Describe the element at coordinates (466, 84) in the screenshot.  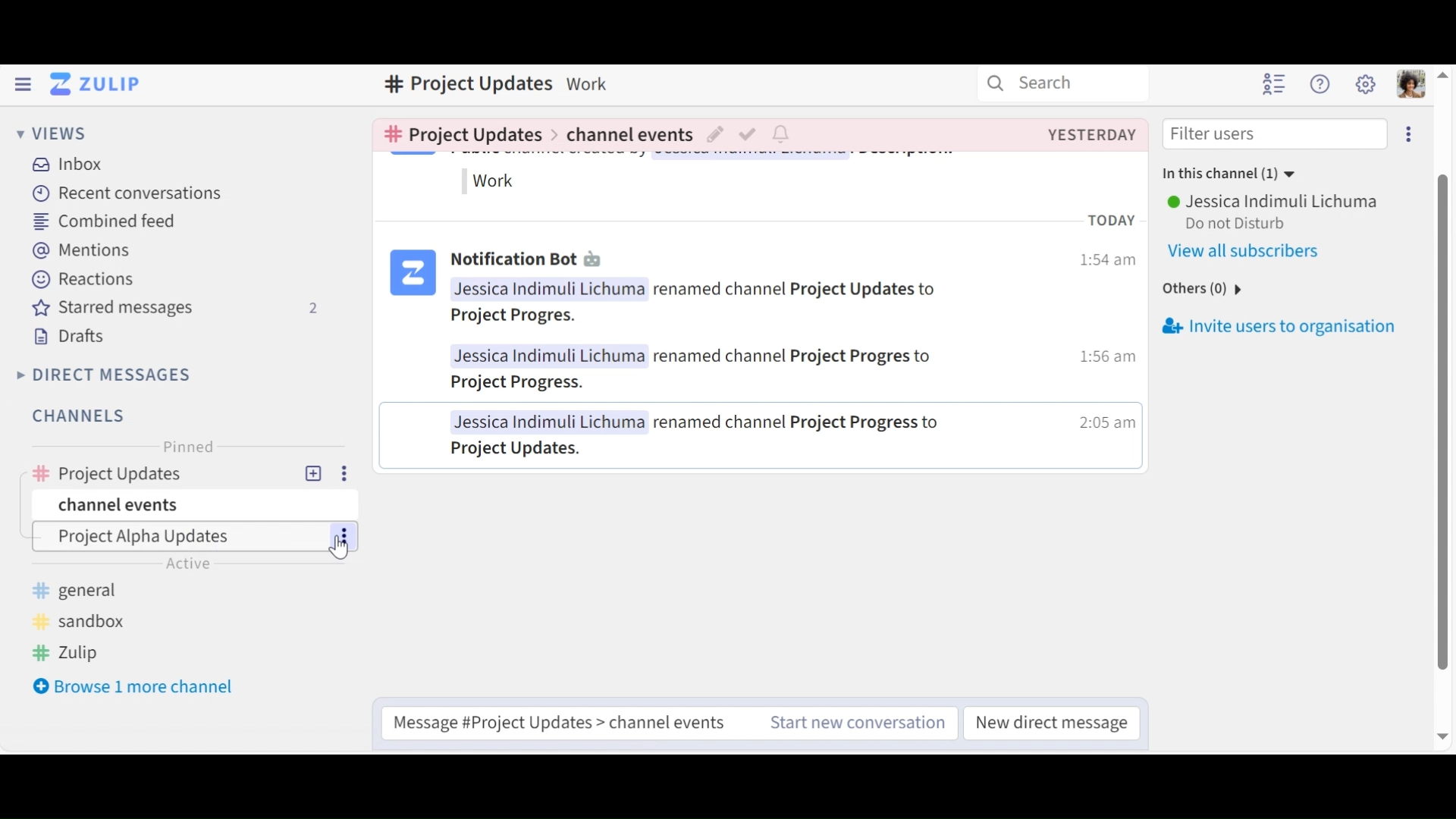
I see `Channel name` at that location.